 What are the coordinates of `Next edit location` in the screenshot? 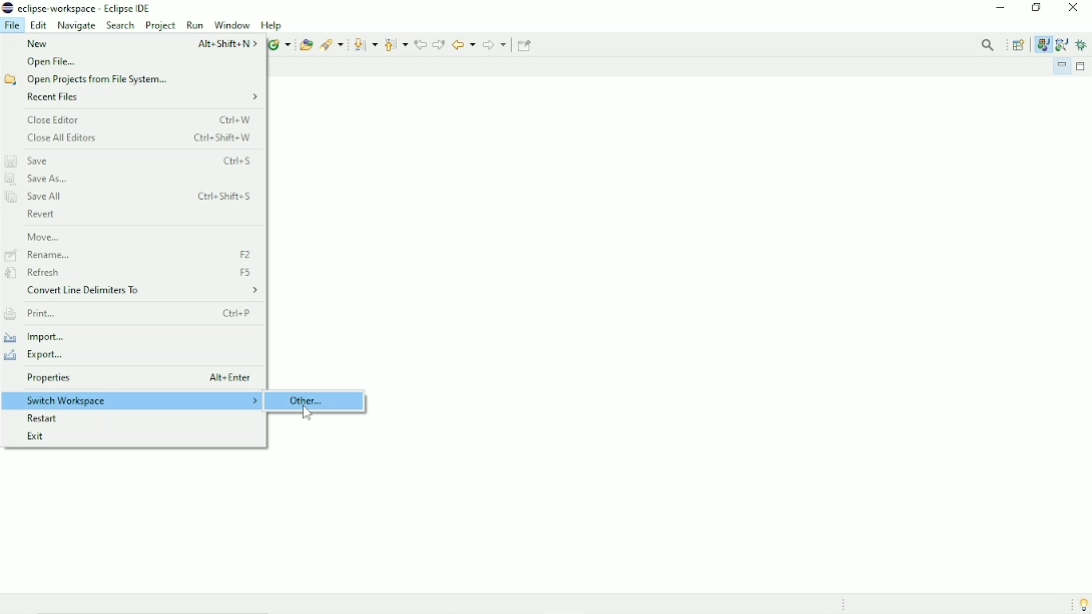 It's located at (439, 44).